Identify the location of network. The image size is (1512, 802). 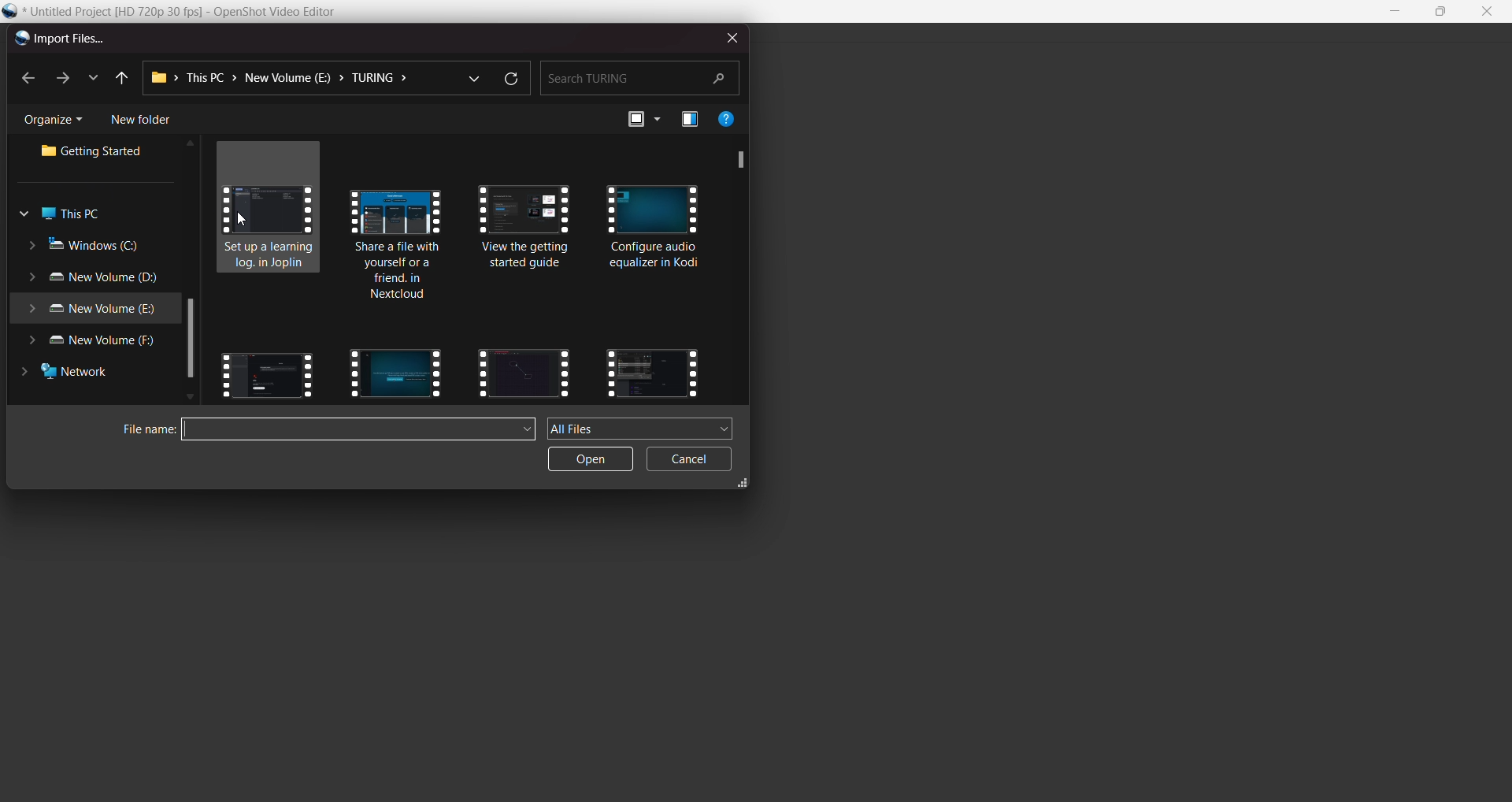
(72, 375).